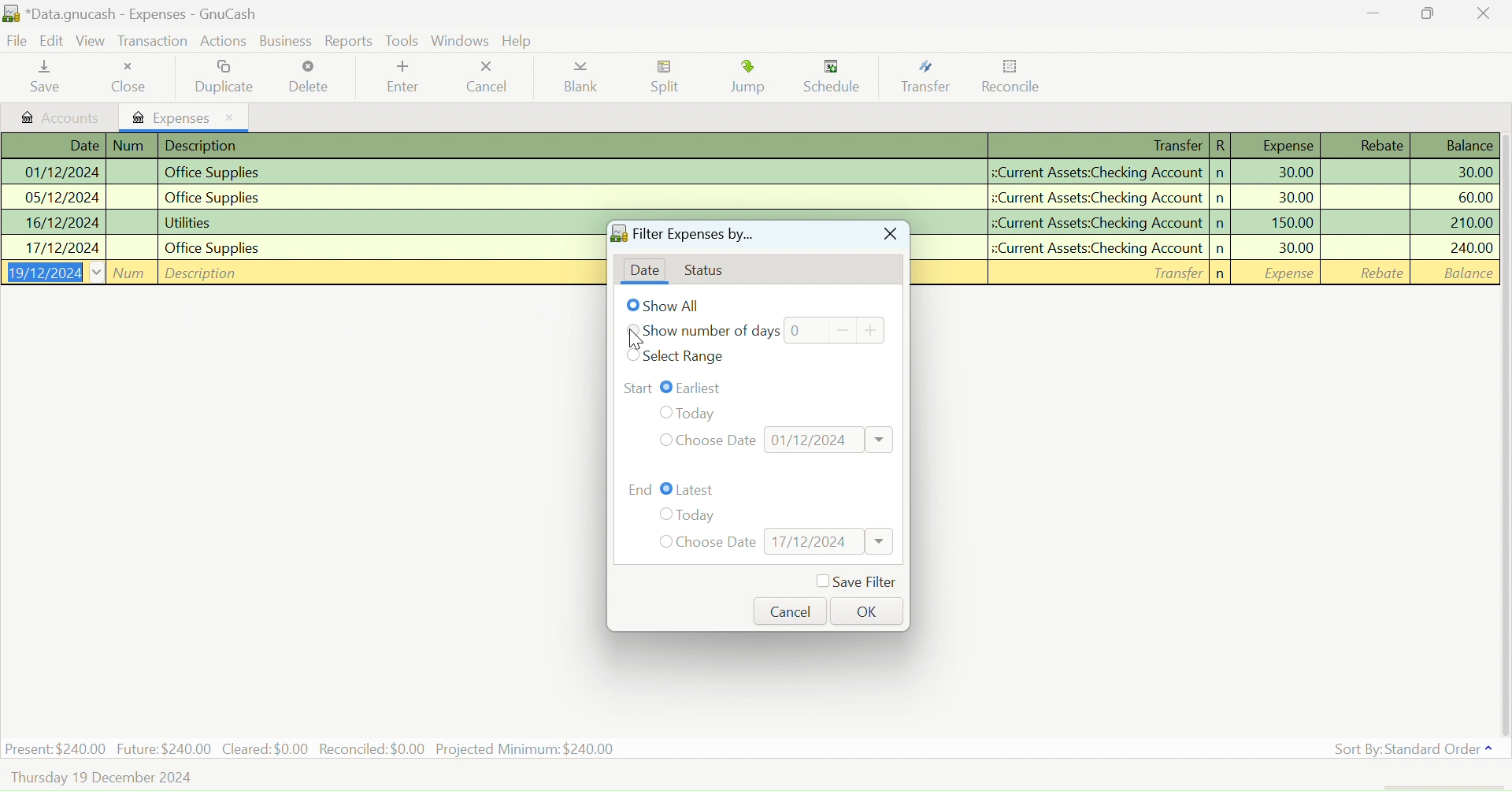  I want to click on Checkbox, so click(667, 489).